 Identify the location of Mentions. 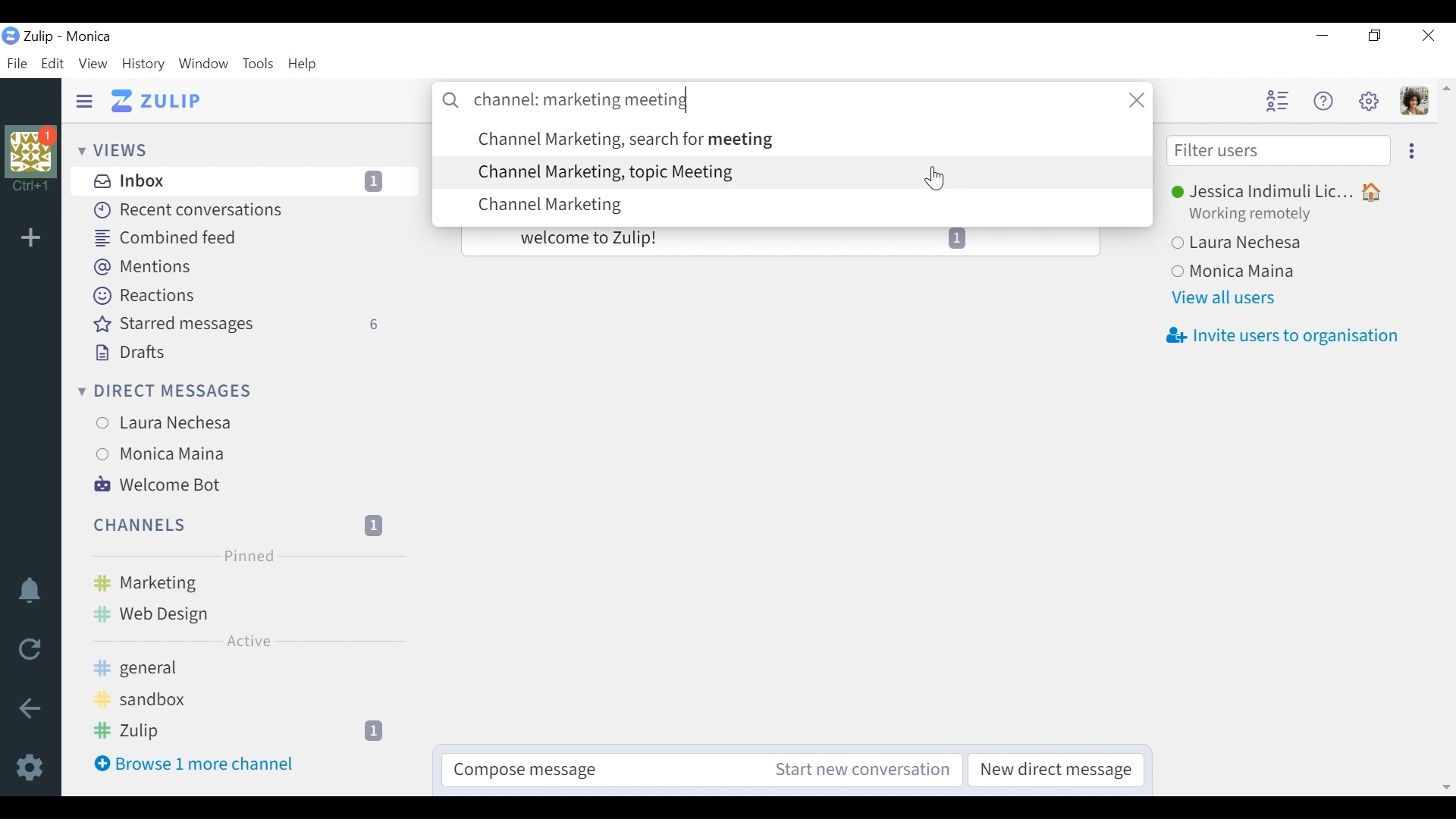
(143, 268).